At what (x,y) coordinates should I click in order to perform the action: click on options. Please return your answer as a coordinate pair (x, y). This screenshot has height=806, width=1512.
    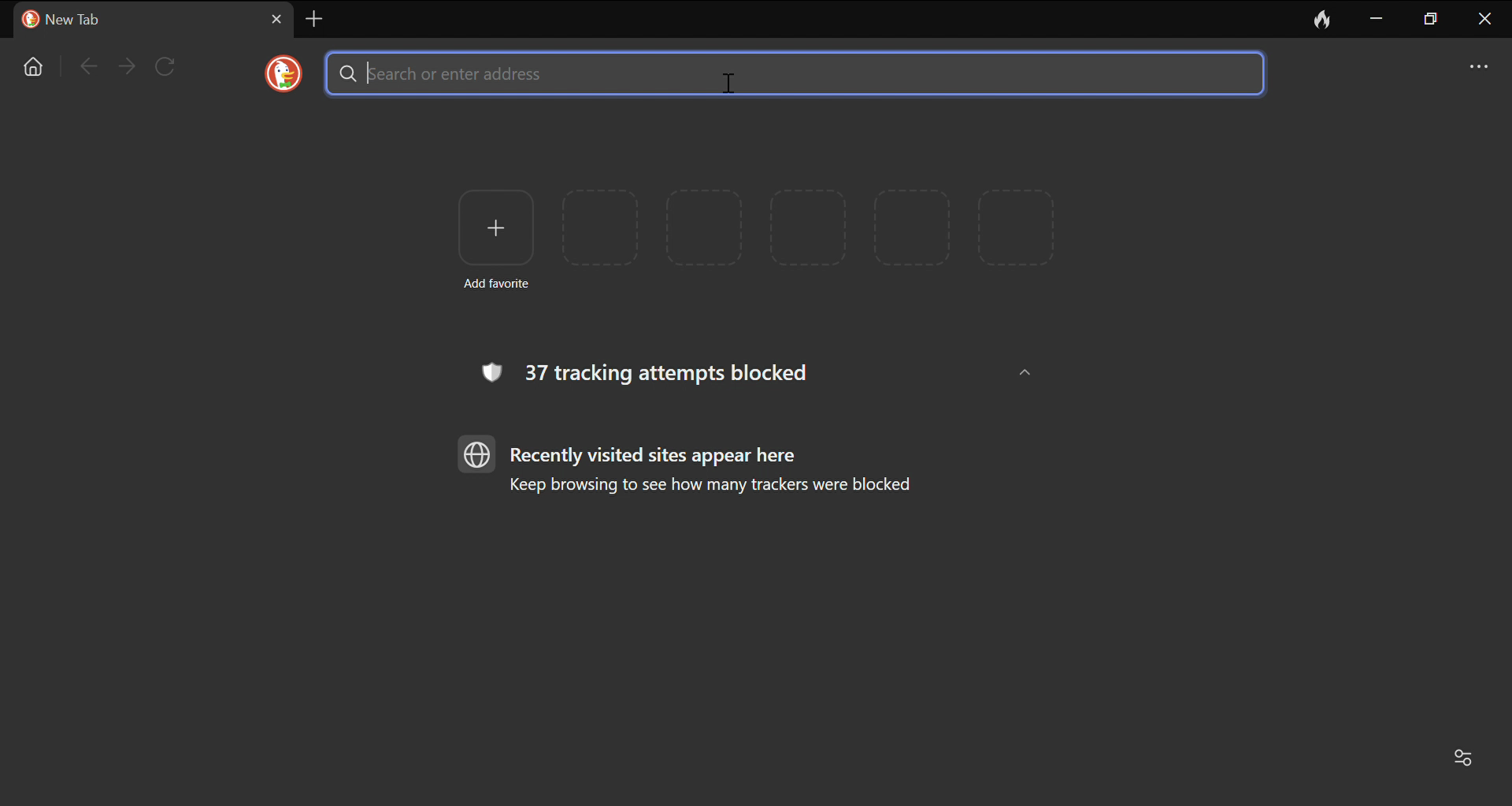
    Looking at the image, I should click on (1480, 64).